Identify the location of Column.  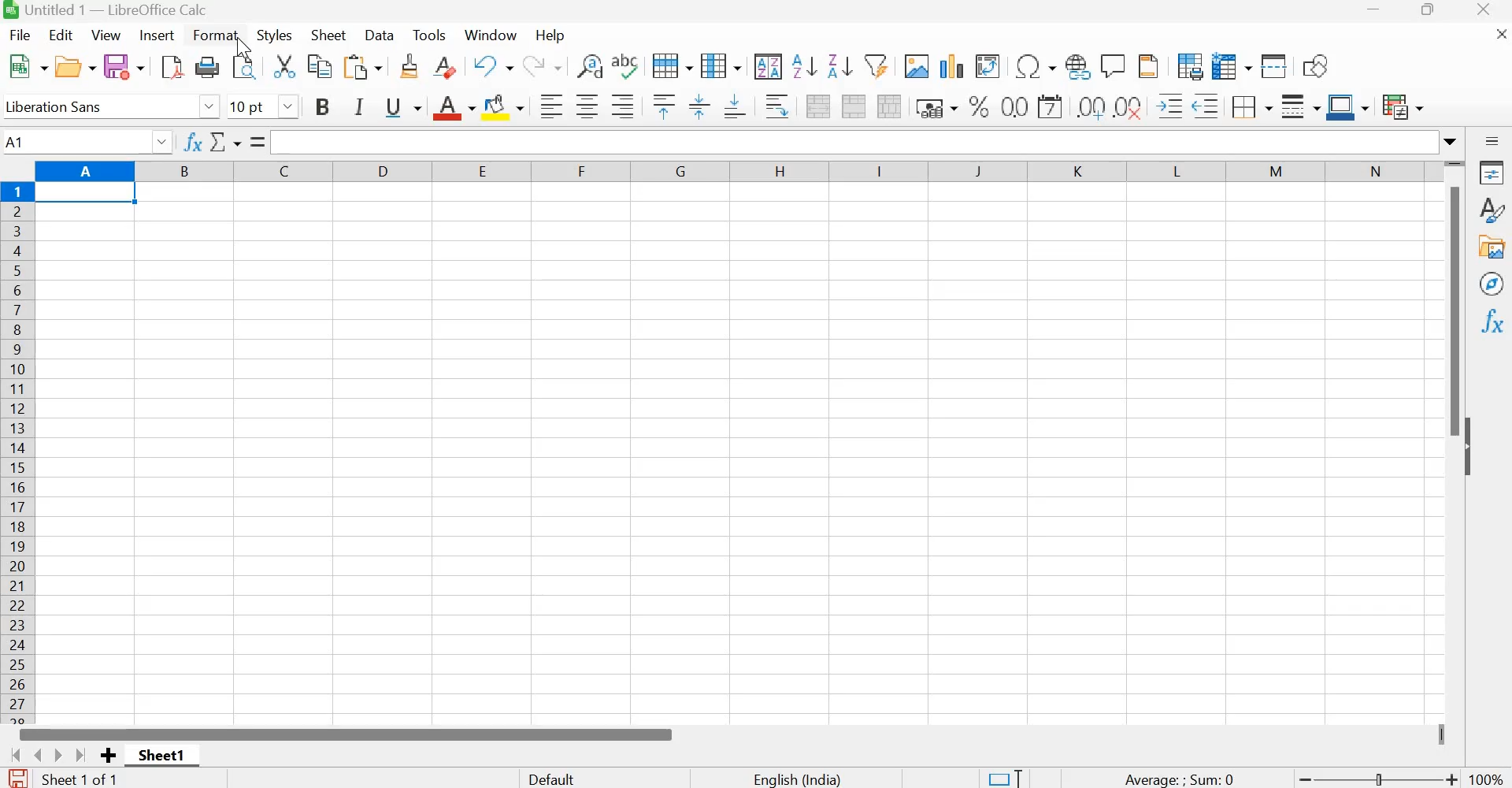
(724, 66).